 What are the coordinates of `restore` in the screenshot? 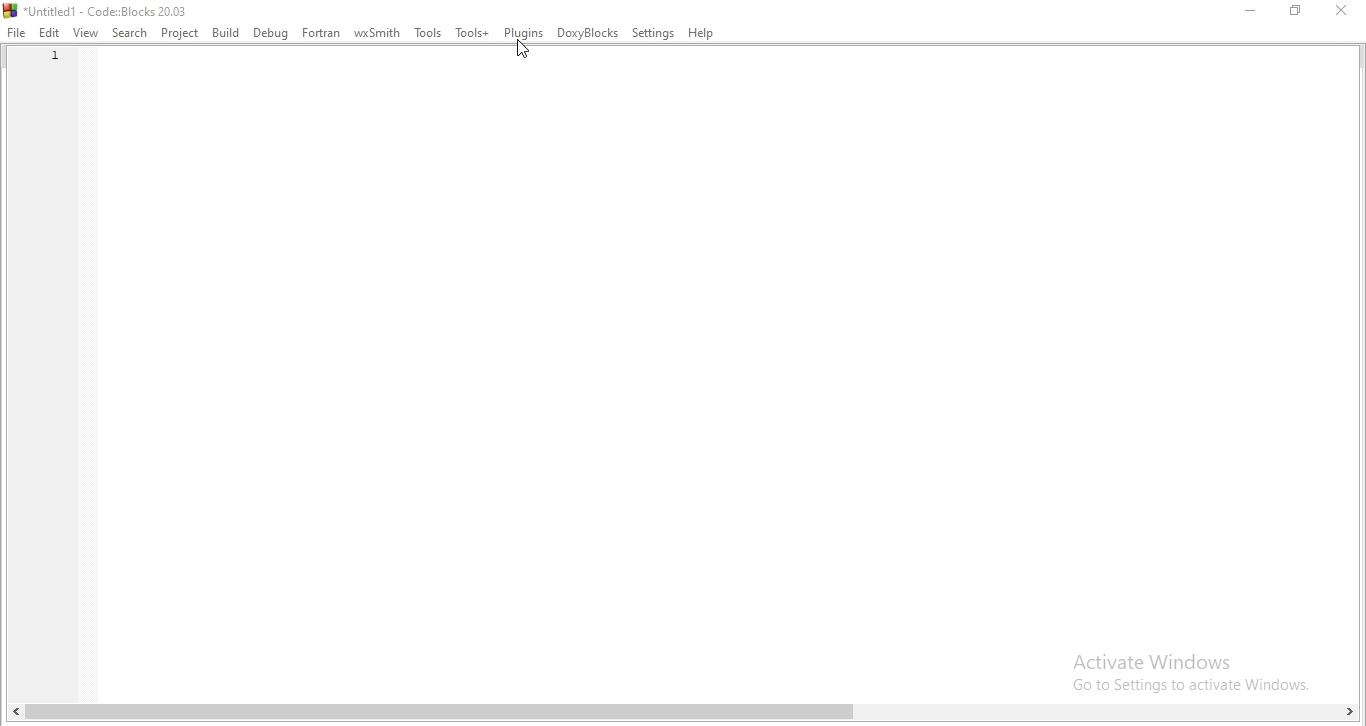 It's located at (1296, 11).